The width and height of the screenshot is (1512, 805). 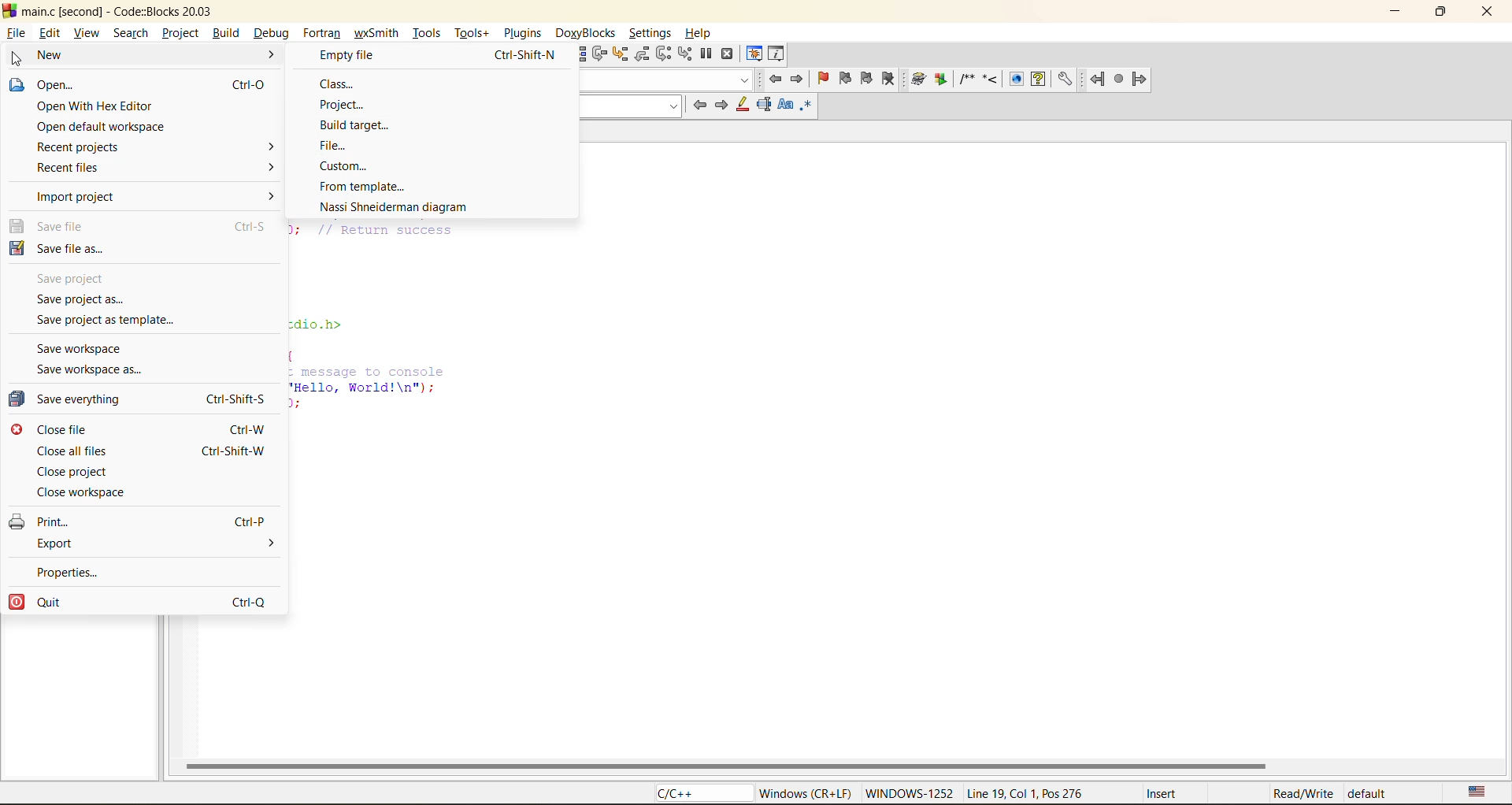 What do you see at coordinates (182, 33) in the screenshot?
I see `project` at bounding box center [182, 33].